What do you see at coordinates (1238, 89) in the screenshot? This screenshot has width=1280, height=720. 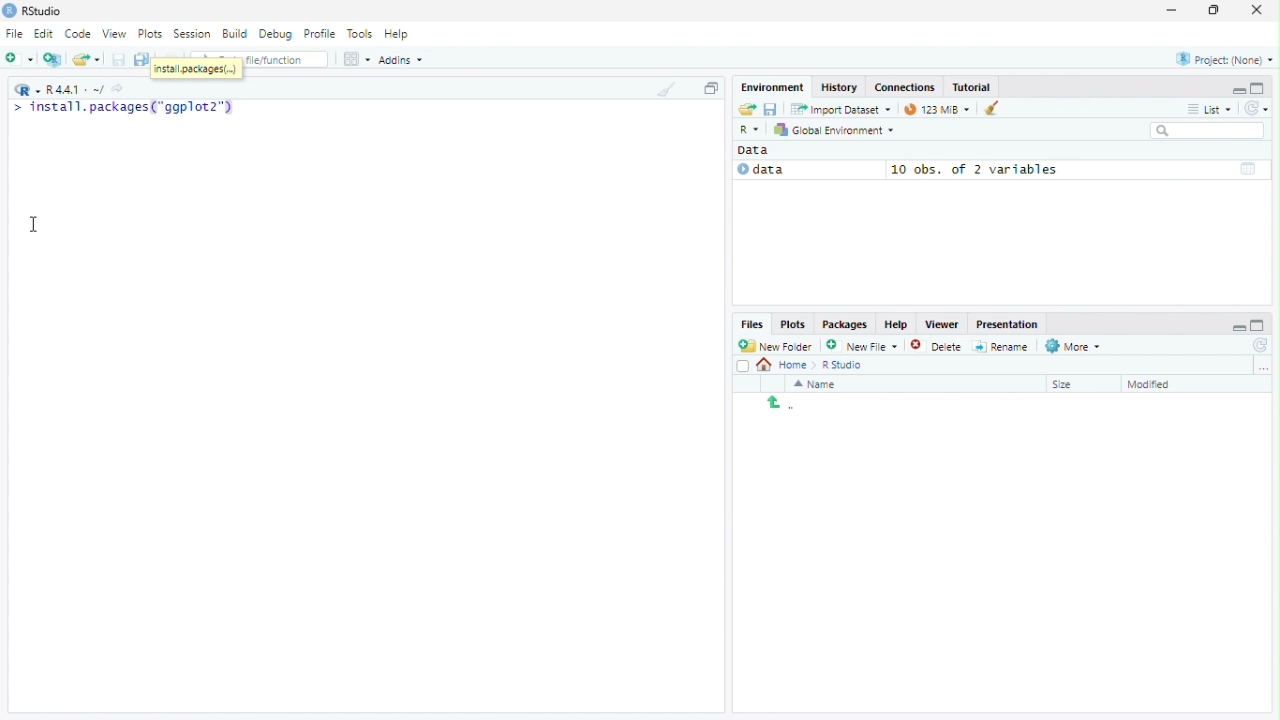 I see `minimize` at bounding box center [1238, 89].